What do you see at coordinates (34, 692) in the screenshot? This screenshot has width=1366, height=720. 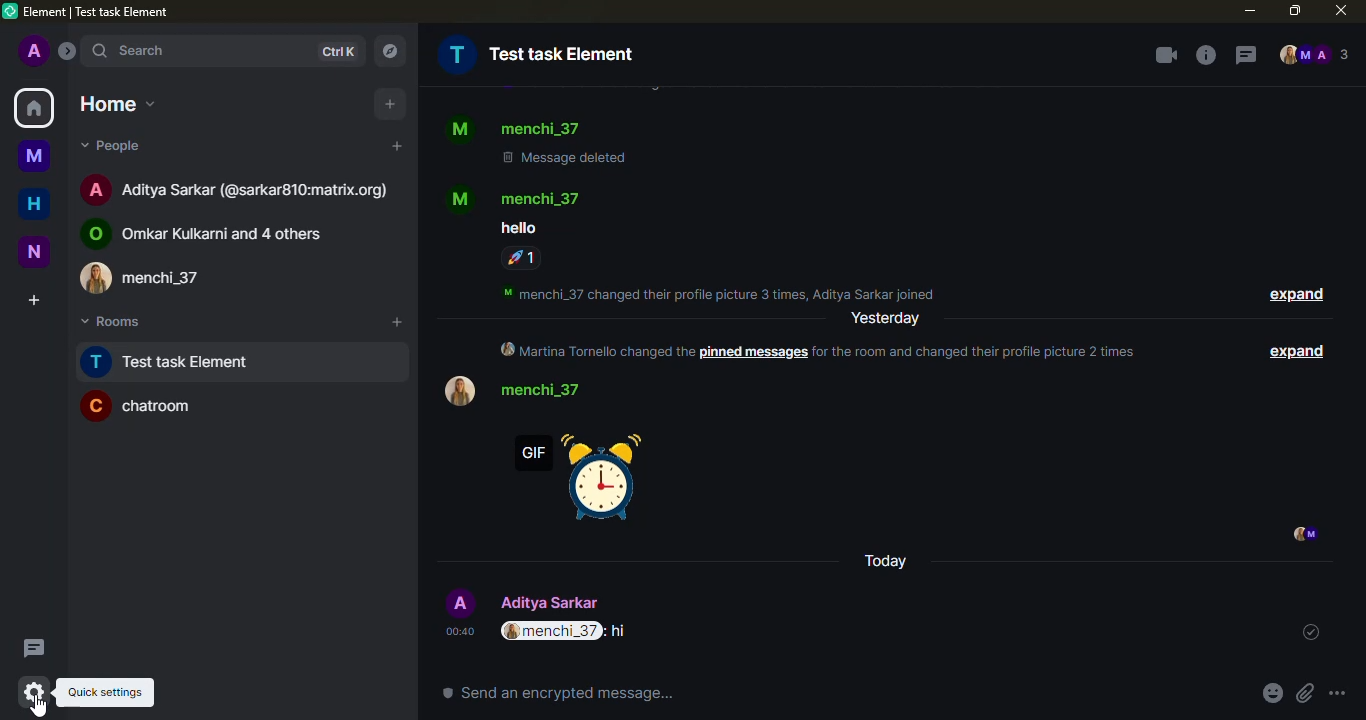 I see `quick settings` at bounding box center [34, 692].